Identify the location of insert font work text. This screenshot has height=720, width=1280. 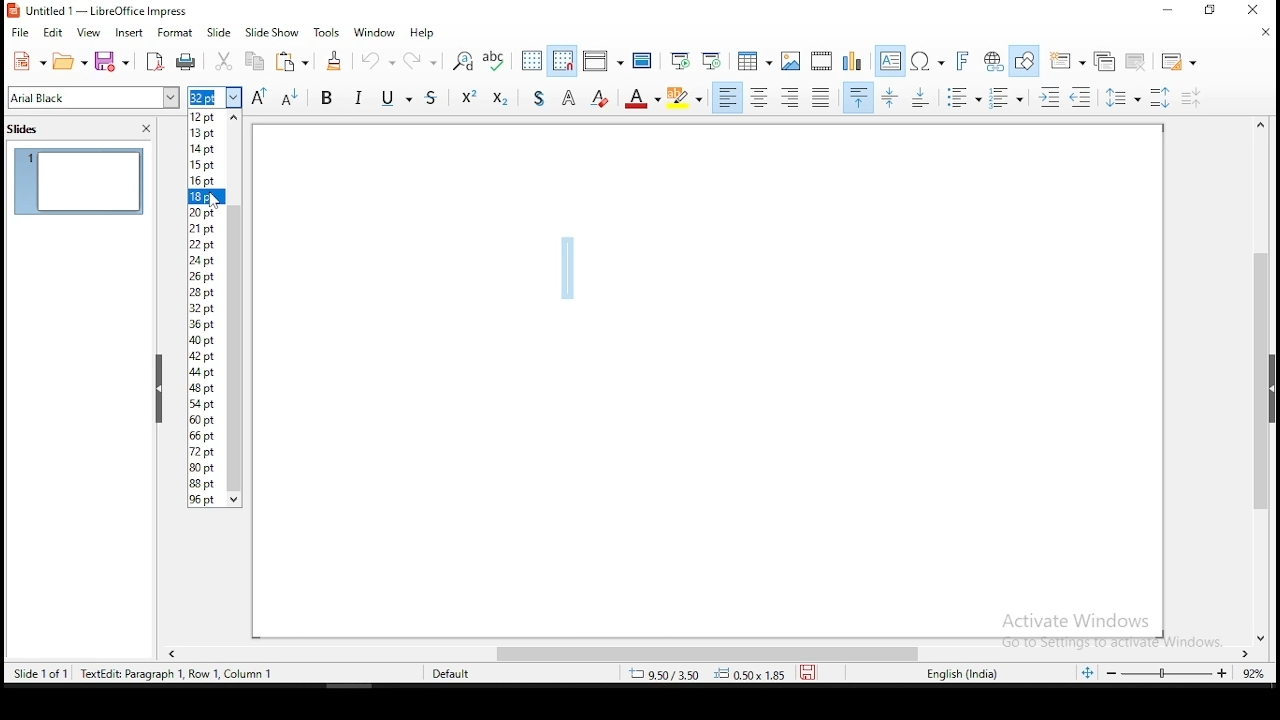
(963, 61).